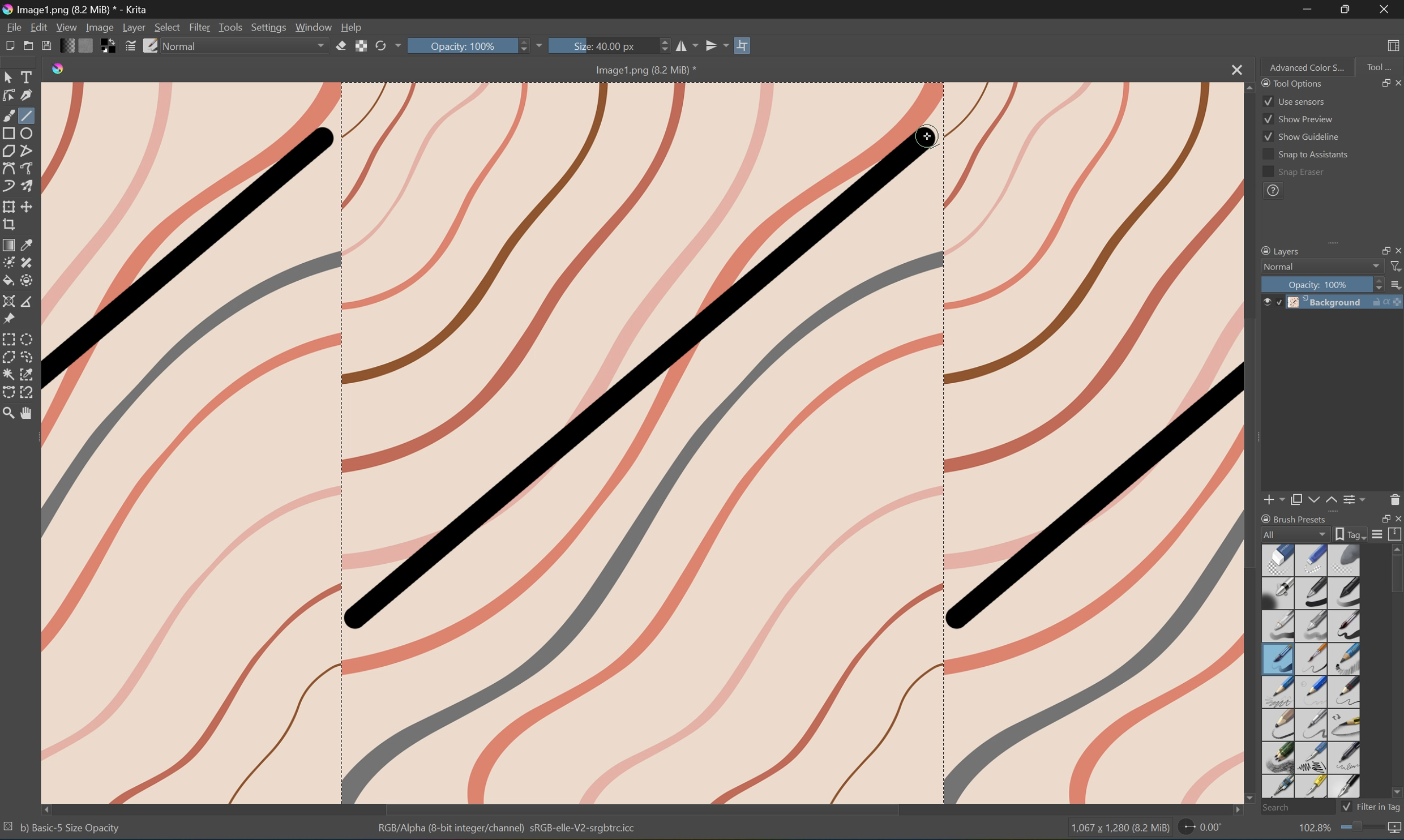  I want to click on Edit, so click(38, 26).